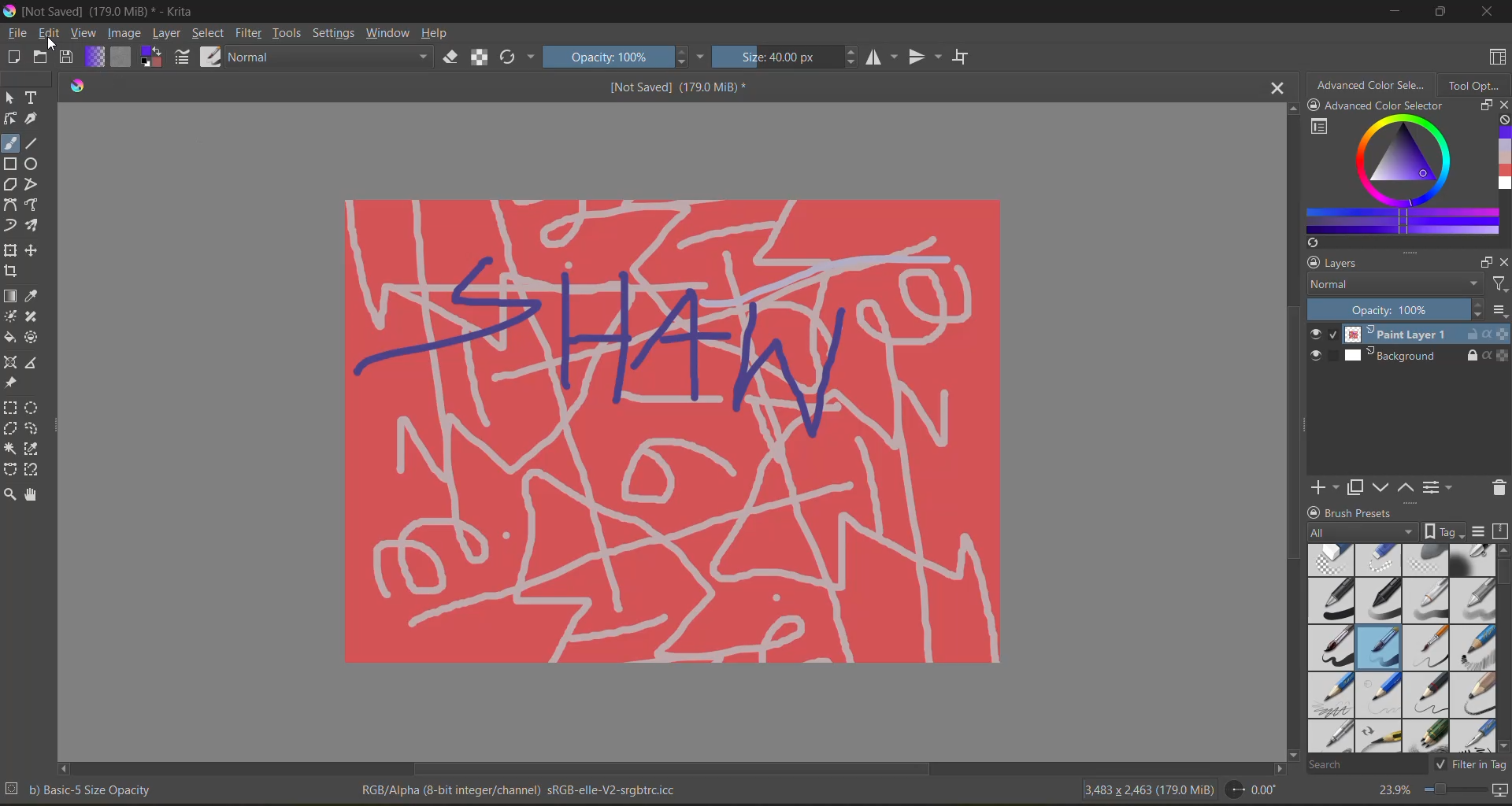  I want to click on clear all color history, so click(1503, 121).